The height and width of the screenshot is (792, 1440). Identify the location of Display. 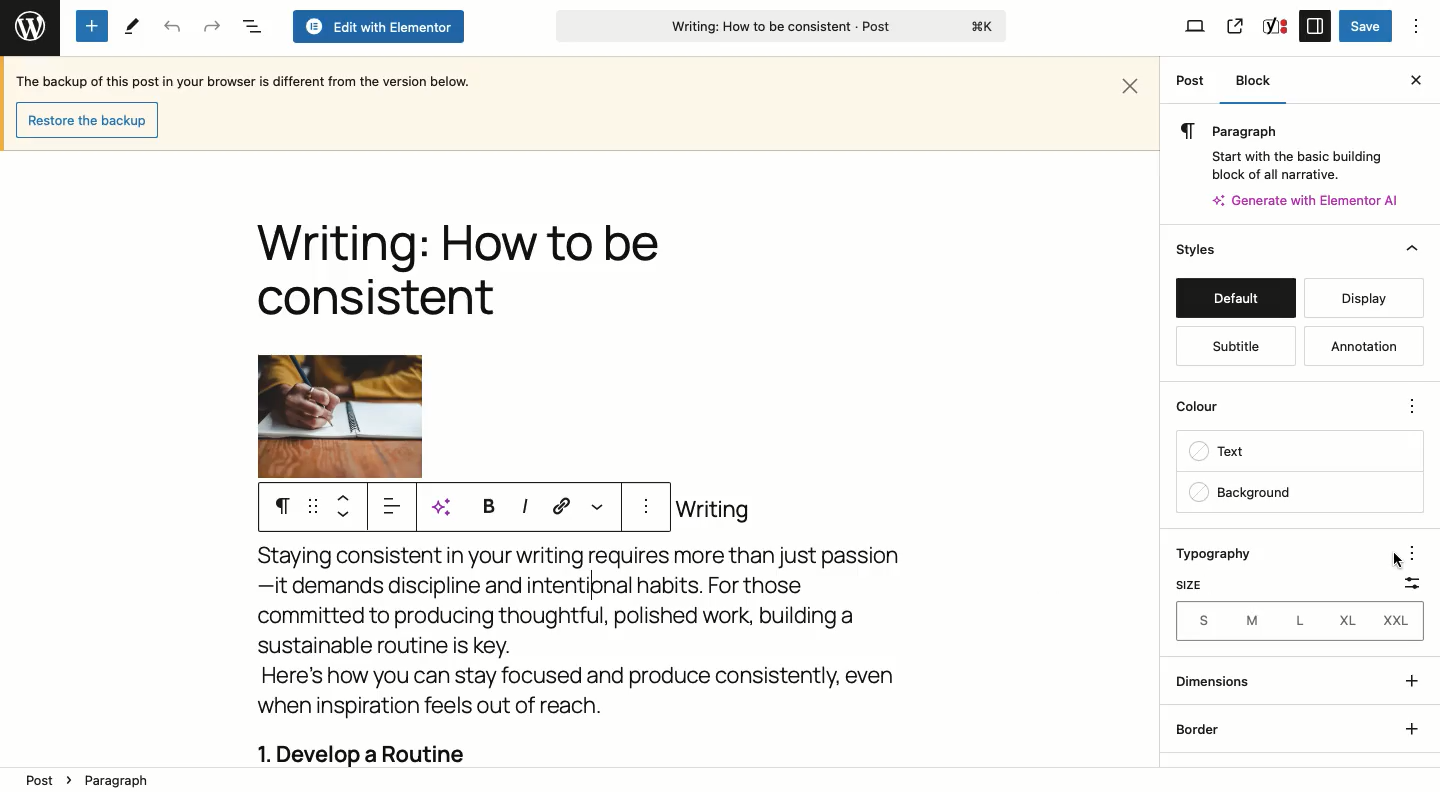
(1365, 298).